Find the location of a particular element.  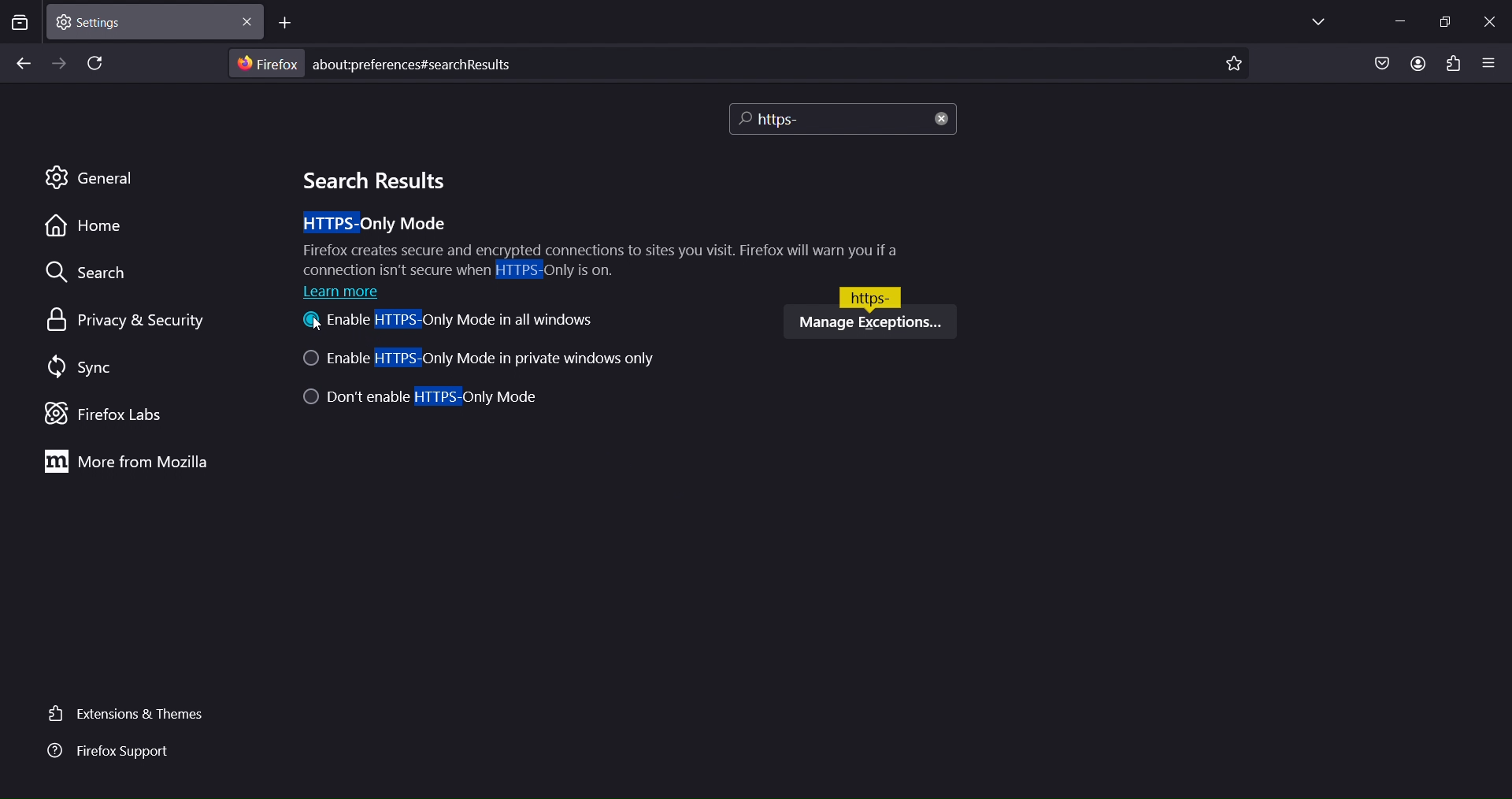

new tab is located at coordinates (288, 23).